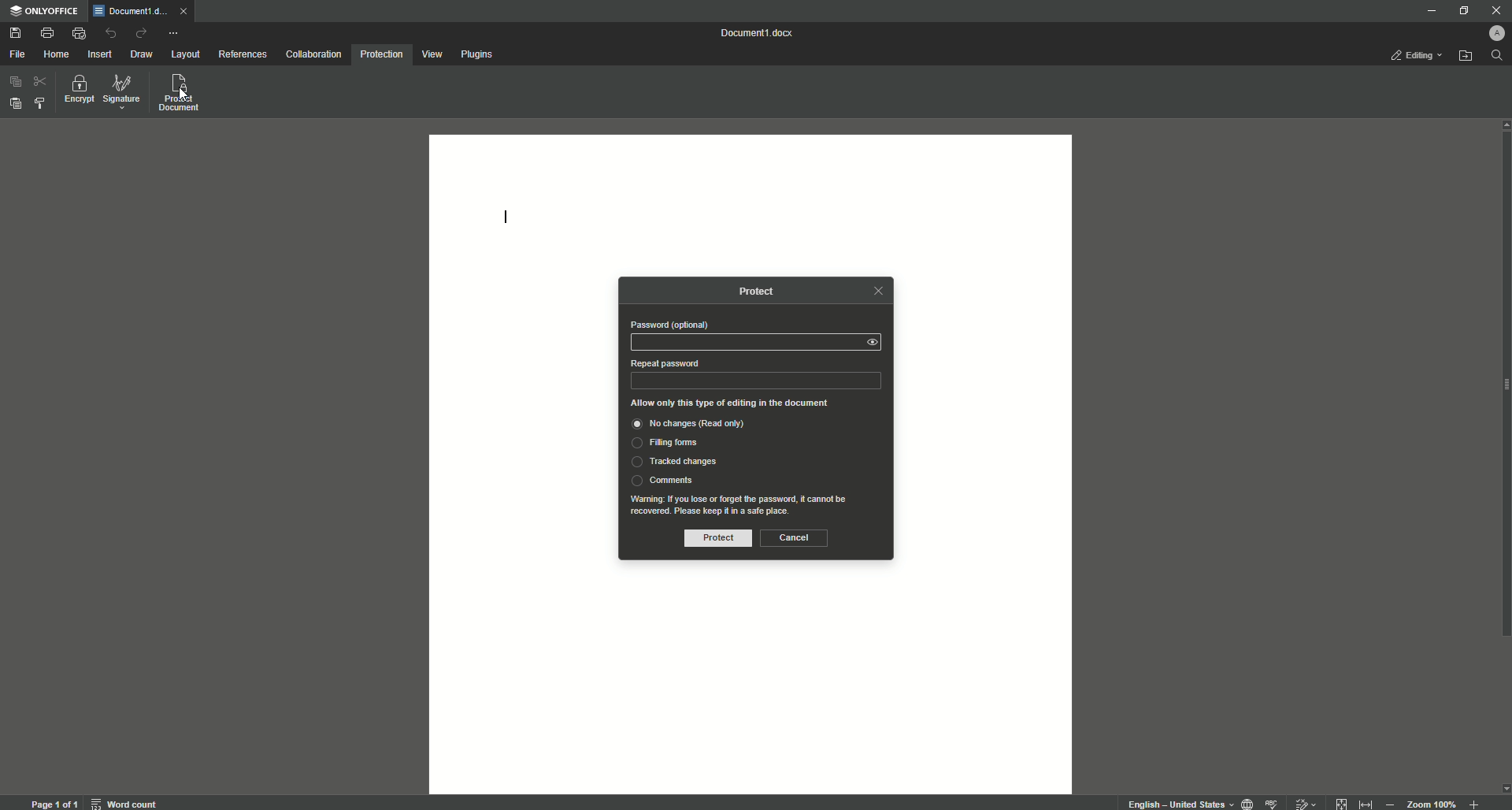 The height and width of the screenshot is (810, 1512). Describe the element at coordinates (184, 96) in the screenshot. I see `cursor` at that location.